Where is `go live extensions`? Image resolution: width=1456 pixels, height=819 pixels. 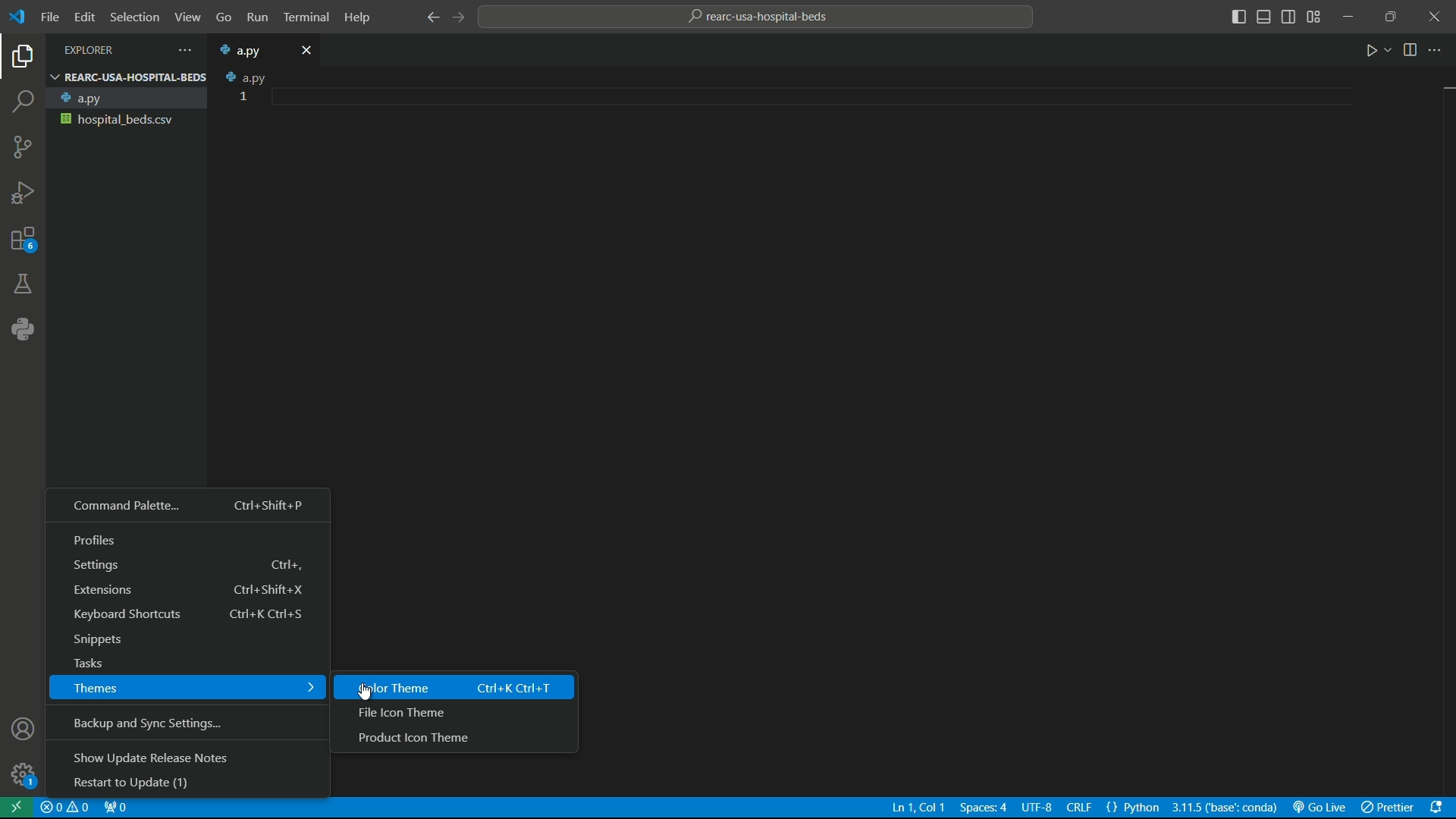
go live extensions is located at coordinates (1319, 808).